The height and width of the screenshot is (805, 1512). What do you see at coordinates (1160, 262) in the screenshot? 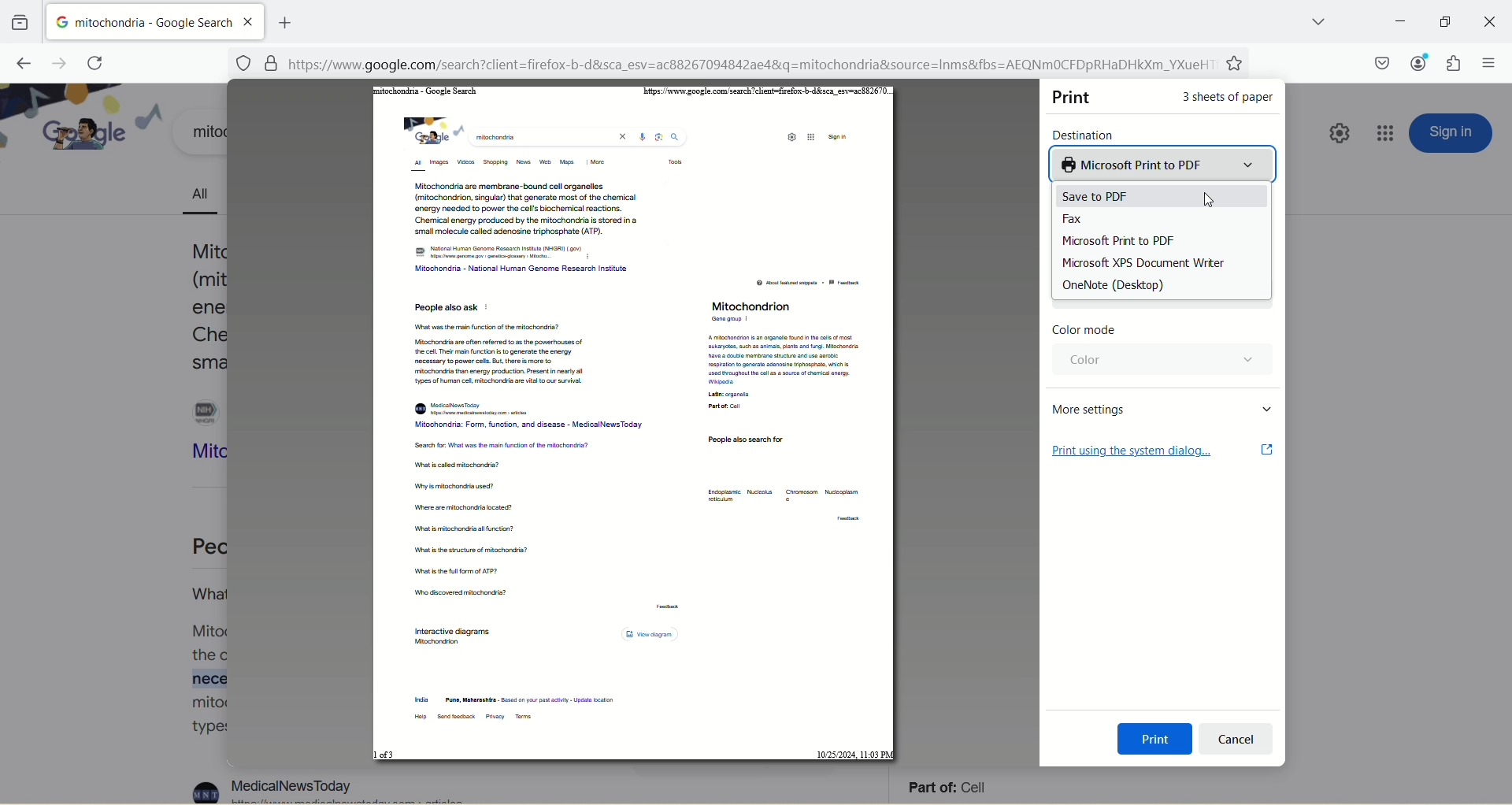
I see `Microsoft XPS Document Writer` at bounding box center [1160, 262].